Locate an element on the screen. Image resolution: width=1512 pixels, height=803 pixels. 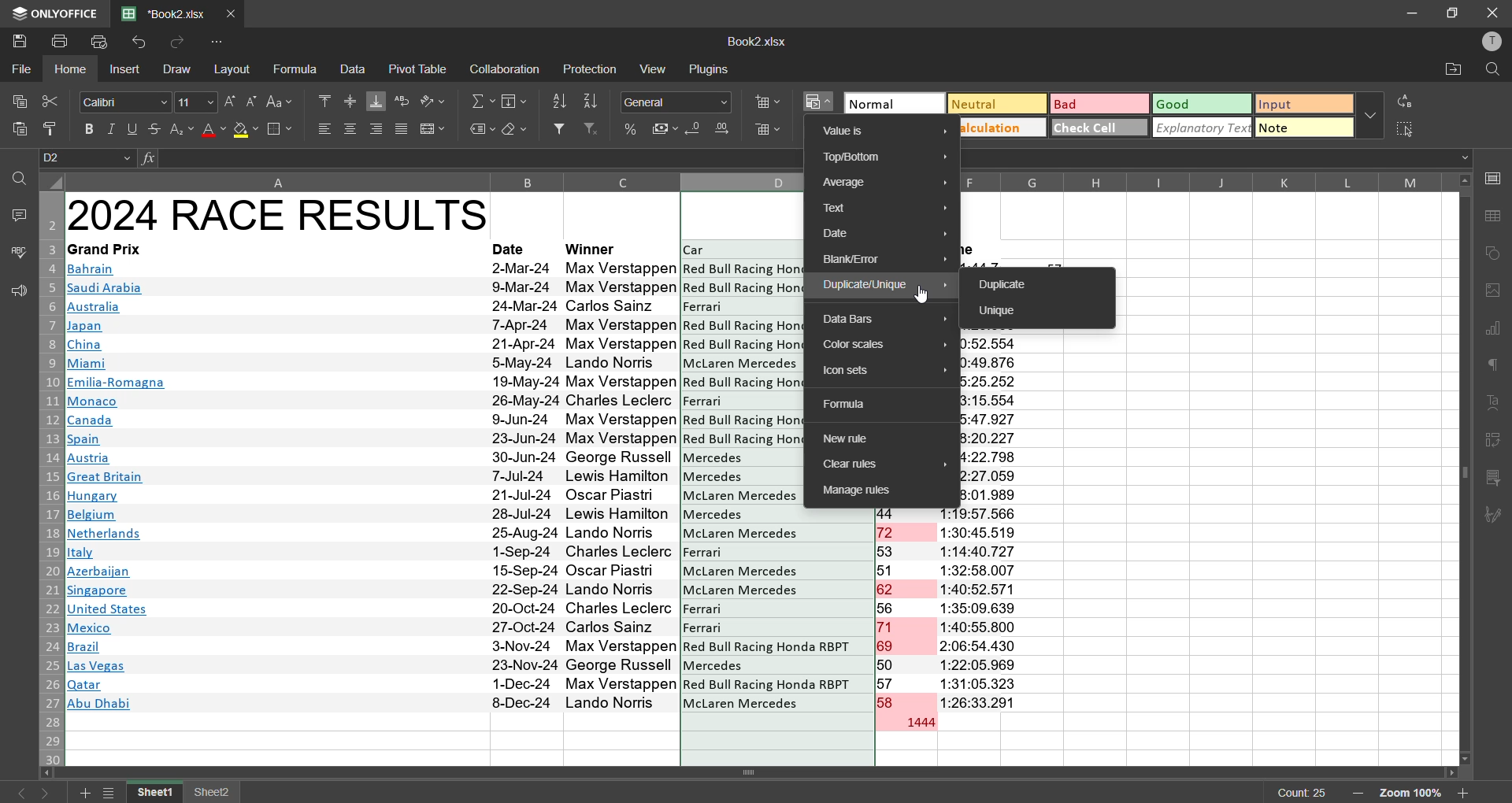
scrollbar is located at coordinates (1464, 469).